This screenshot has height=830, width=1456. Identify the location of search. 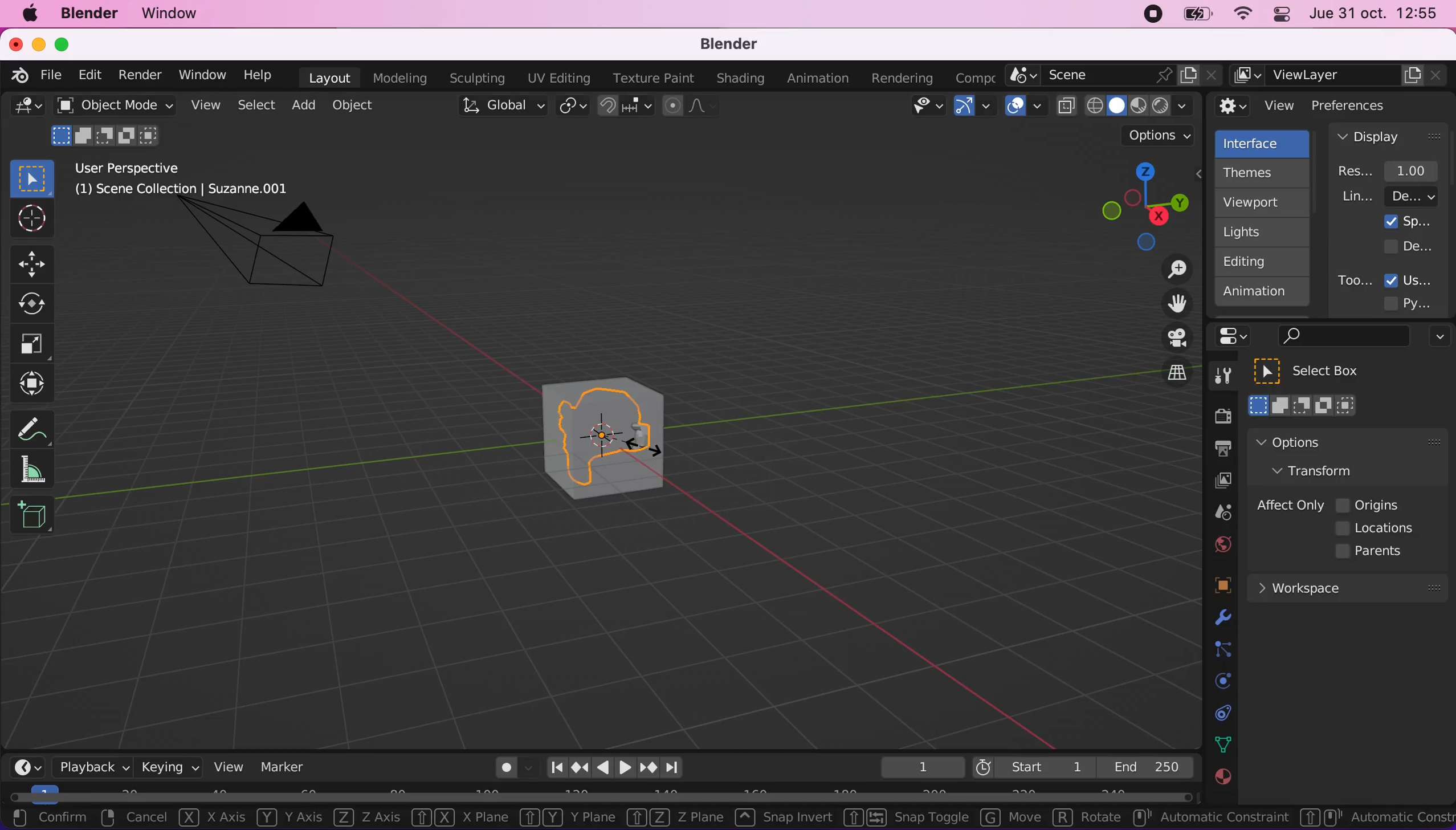
(1341, 337).